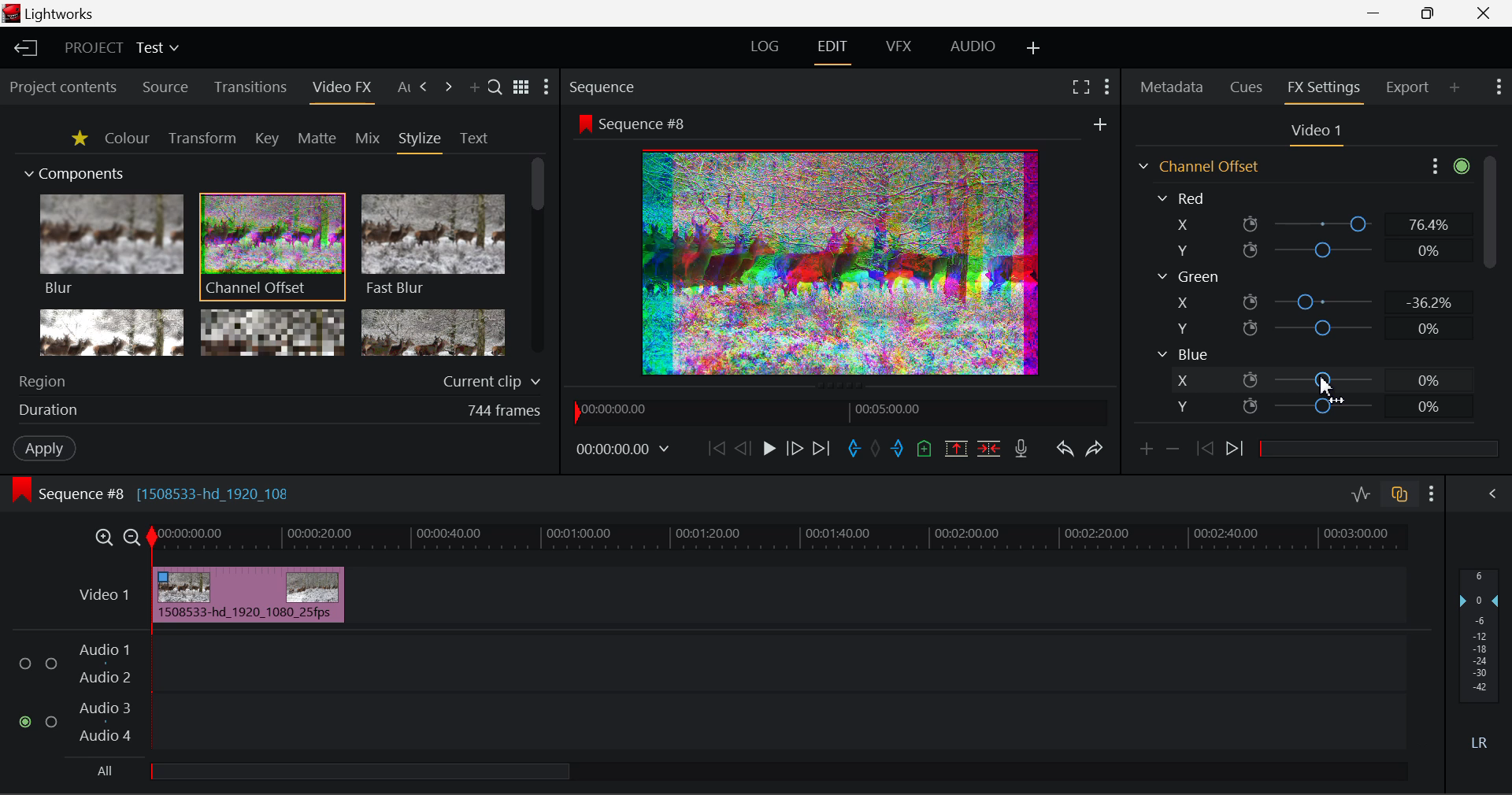  Describe the element at coordinates (1206, 449) in the screenshot. I see `Previous keyframe` at that location.